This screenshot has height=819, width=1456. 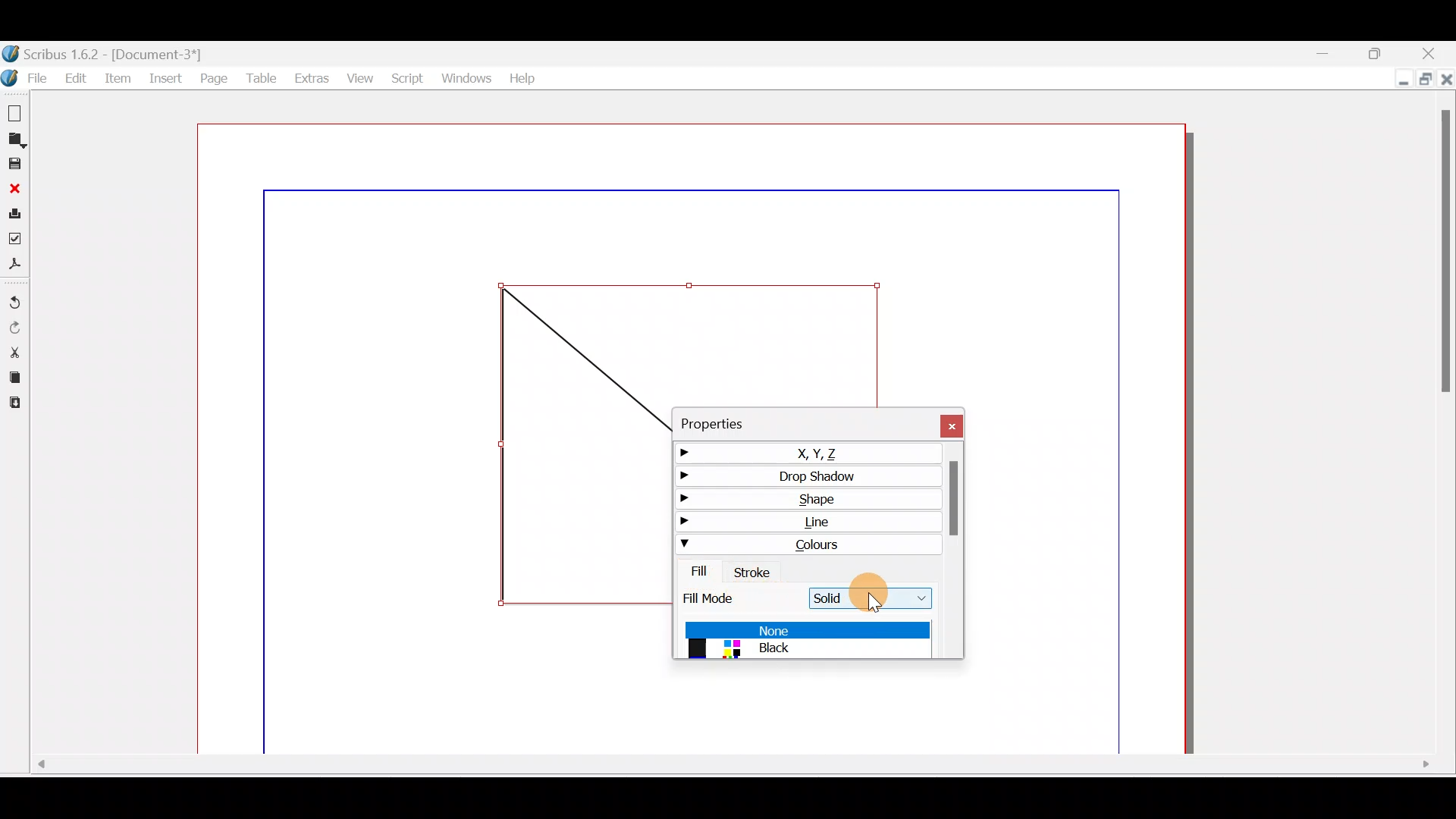 I want to click on Maximise, so click(x=1382, y=52).